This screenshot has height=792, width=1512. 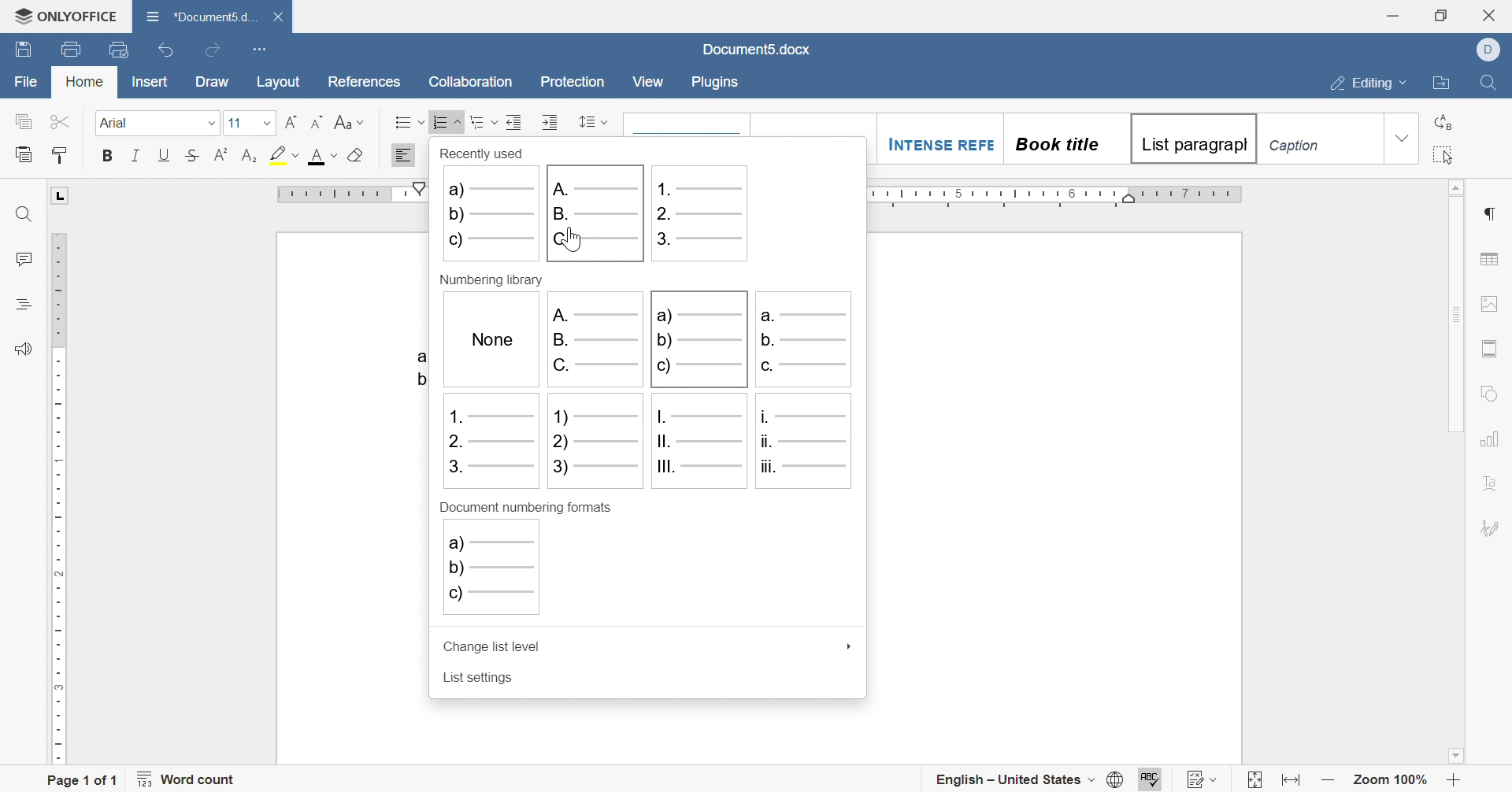 What do you see at coordinates (593, 122) in the screenshot?
I see `line spacing` at bounding box center [593, 122].